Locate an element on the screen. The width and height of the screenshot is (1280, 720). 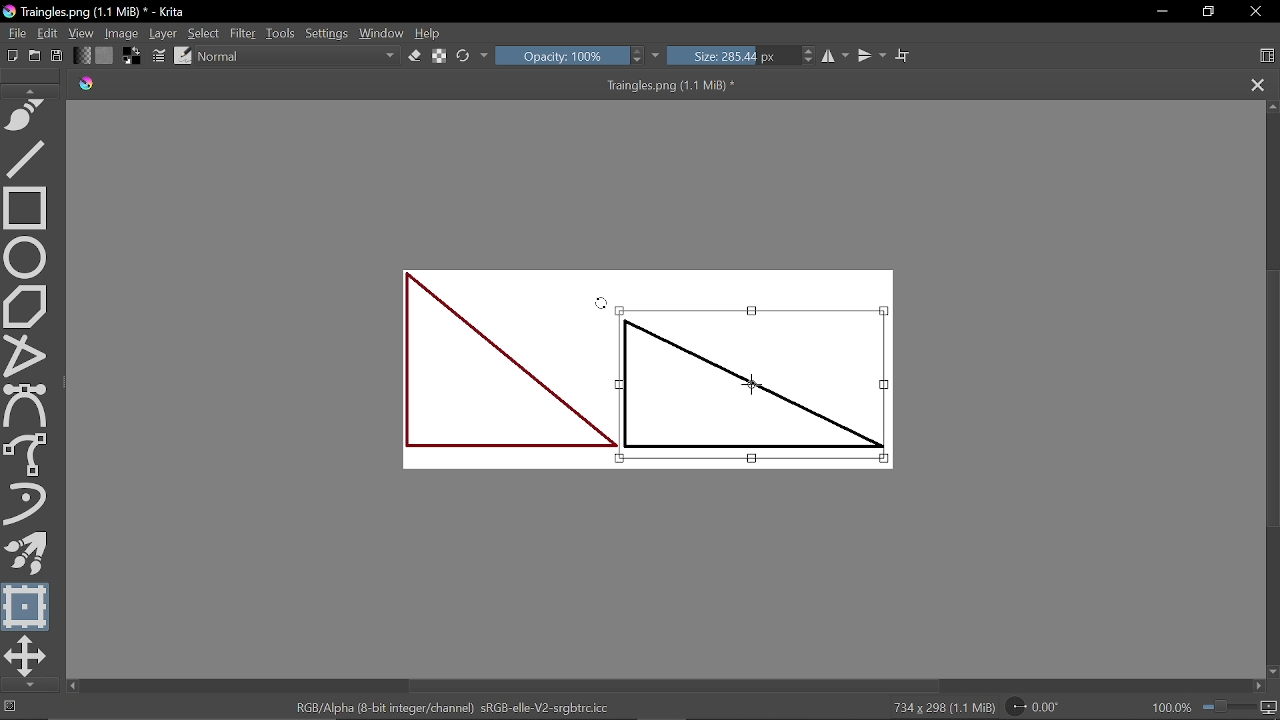
Normal is located at coordinates (299, 58).